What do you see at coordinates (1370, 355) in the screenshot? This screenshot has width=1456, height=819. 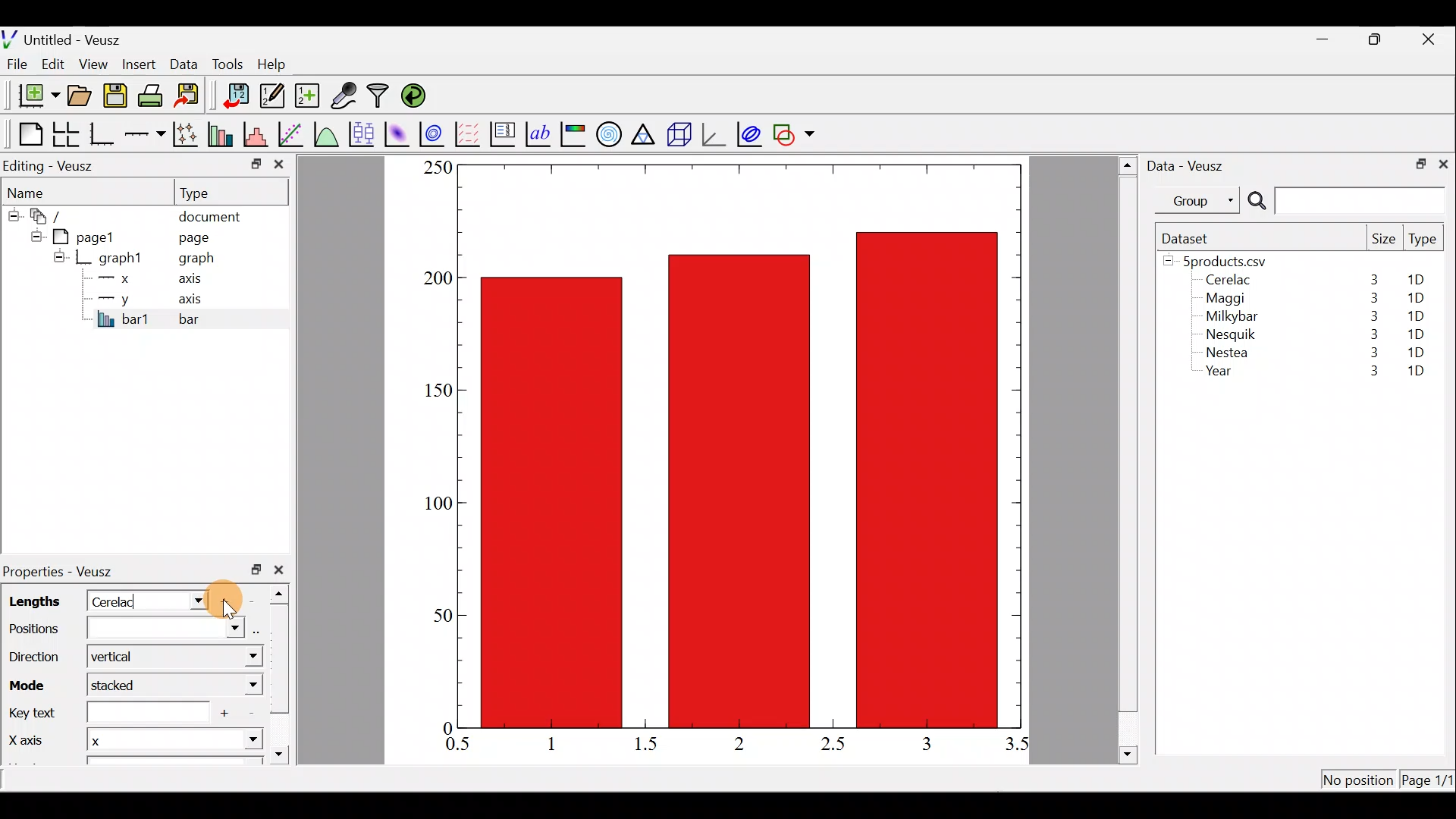 I see `3` at bounding box center [1370, 355].